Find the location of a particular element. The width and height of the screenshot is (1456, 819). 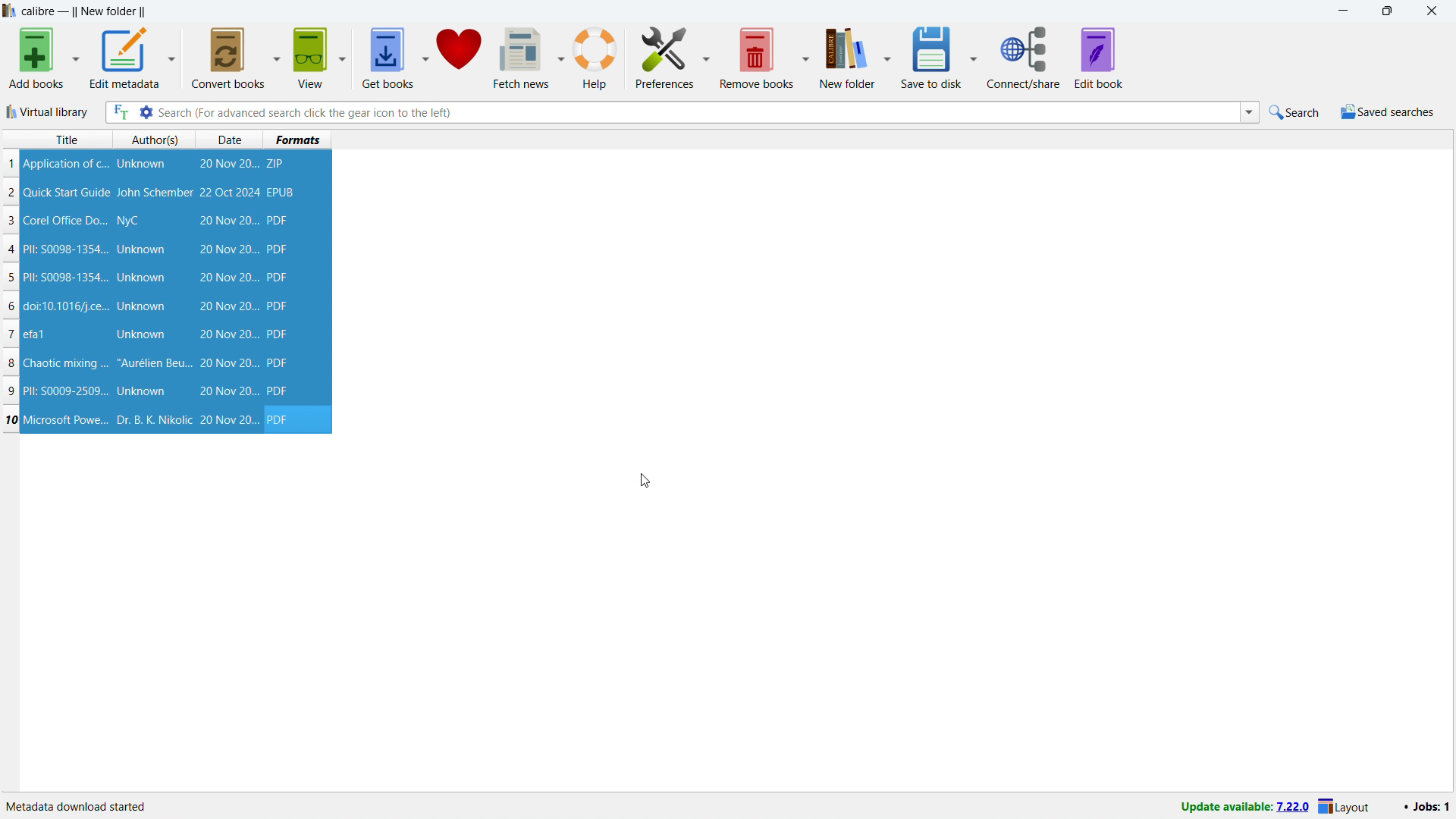

preferences is located at coordinates (664, 57).